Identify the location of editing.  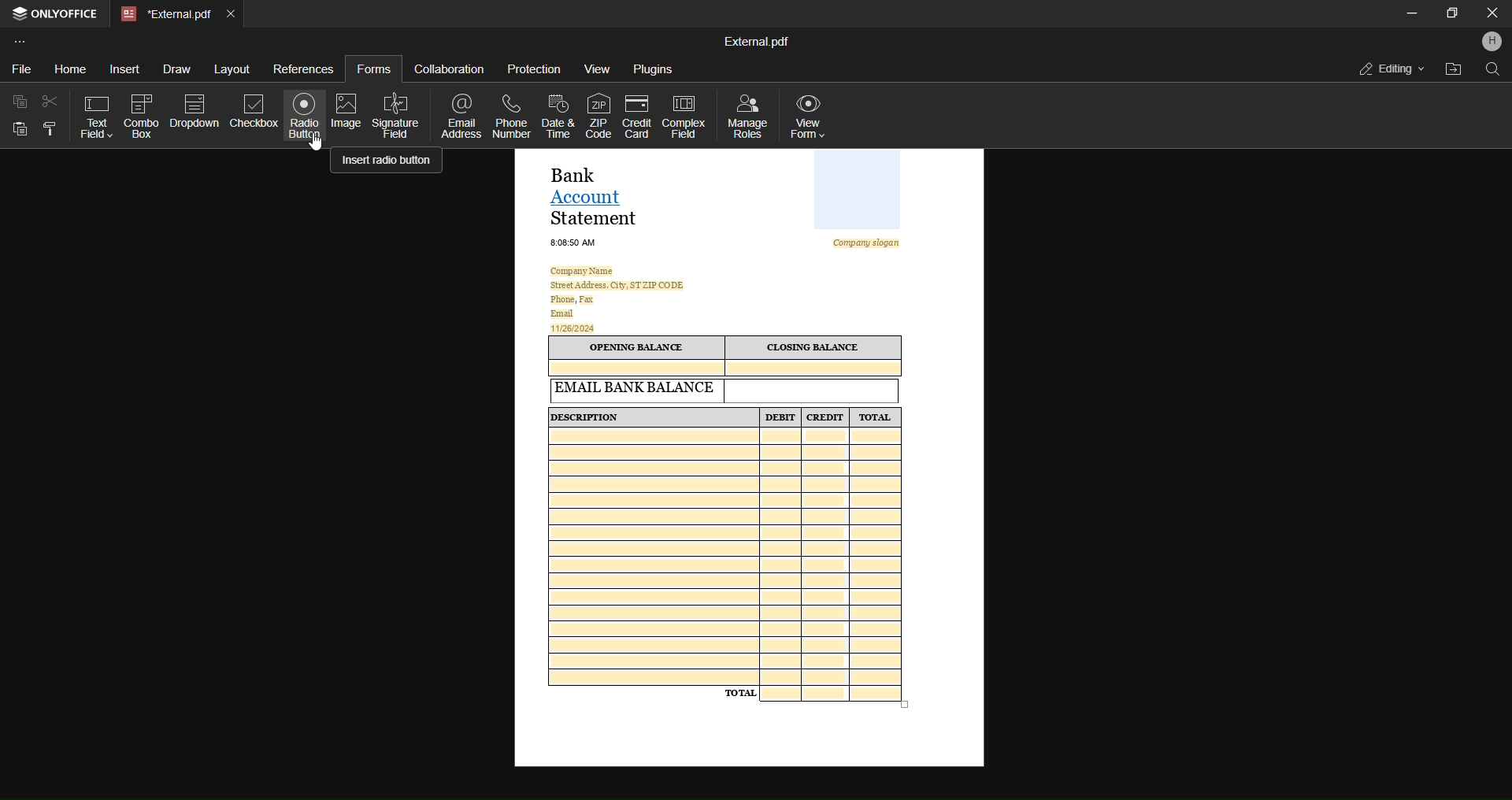
(1385, 69).